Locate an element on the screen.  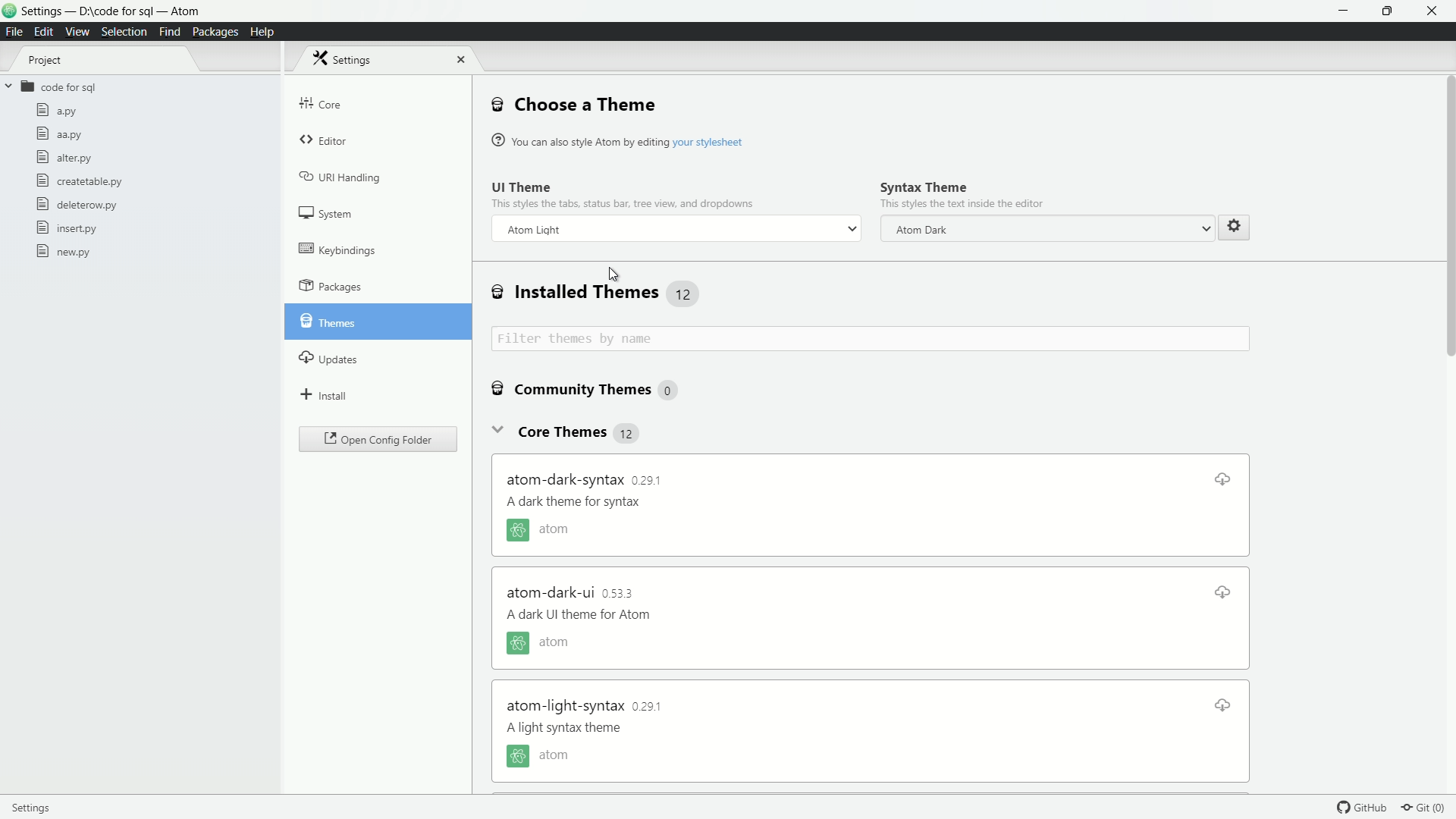
® You can also style Atom by editing your stylesheet is located at coordinates (620, 142).